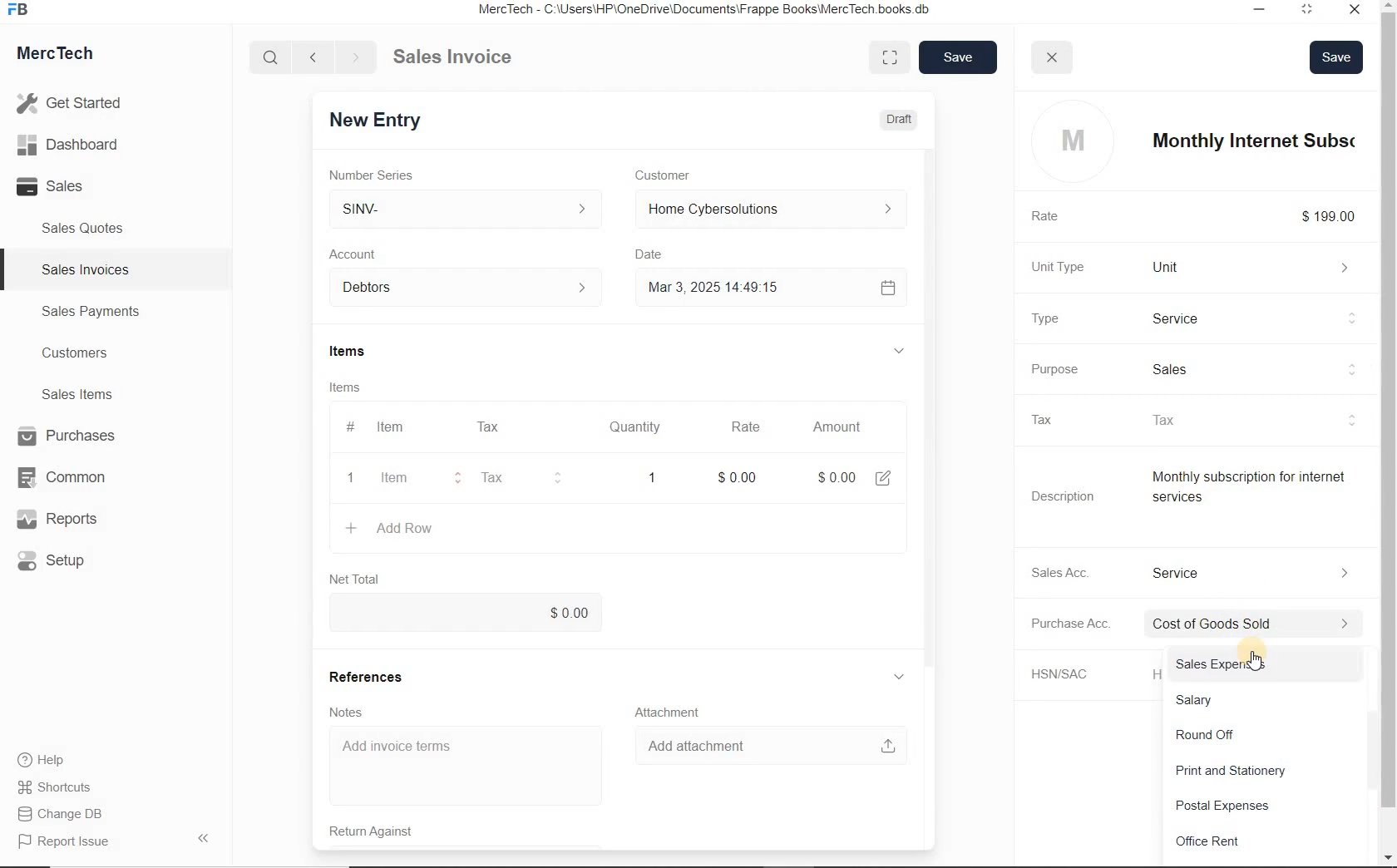  Describe the element at coordinates (1265, 773) in the screenshot. I see `Utility Expenses` at that location.